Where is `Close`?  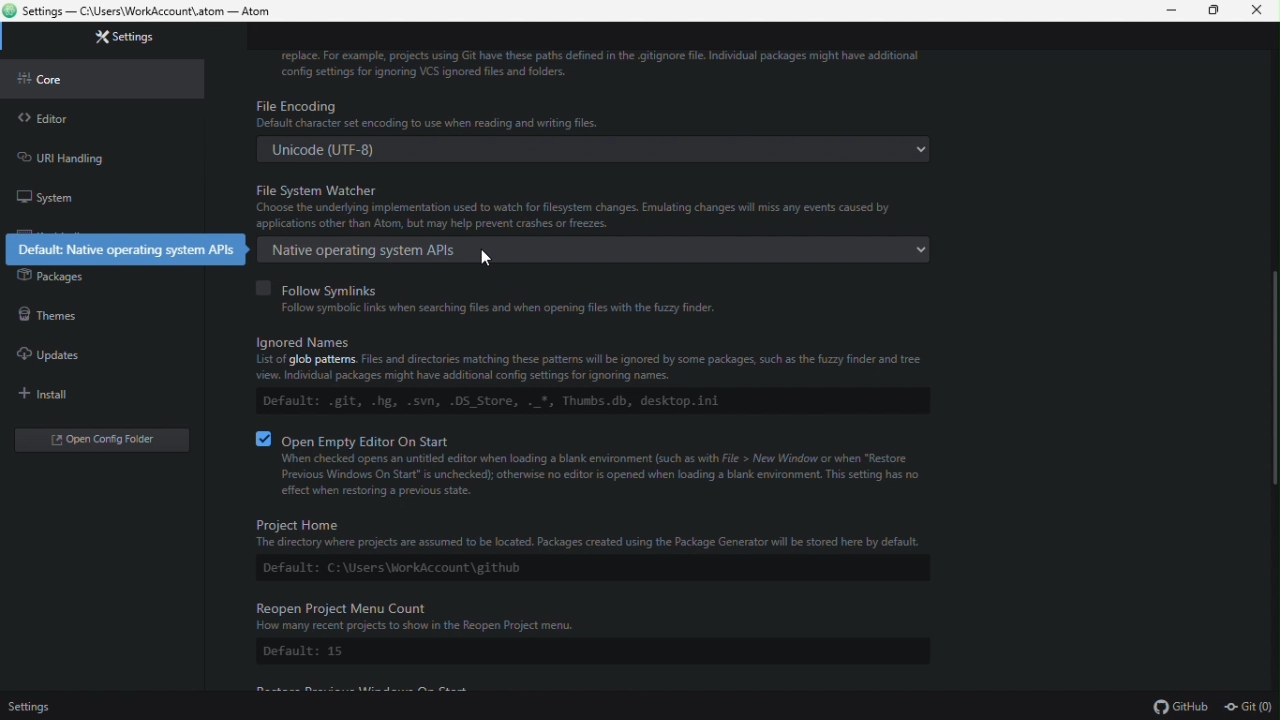
Close is located at coordinates (1261, 11).